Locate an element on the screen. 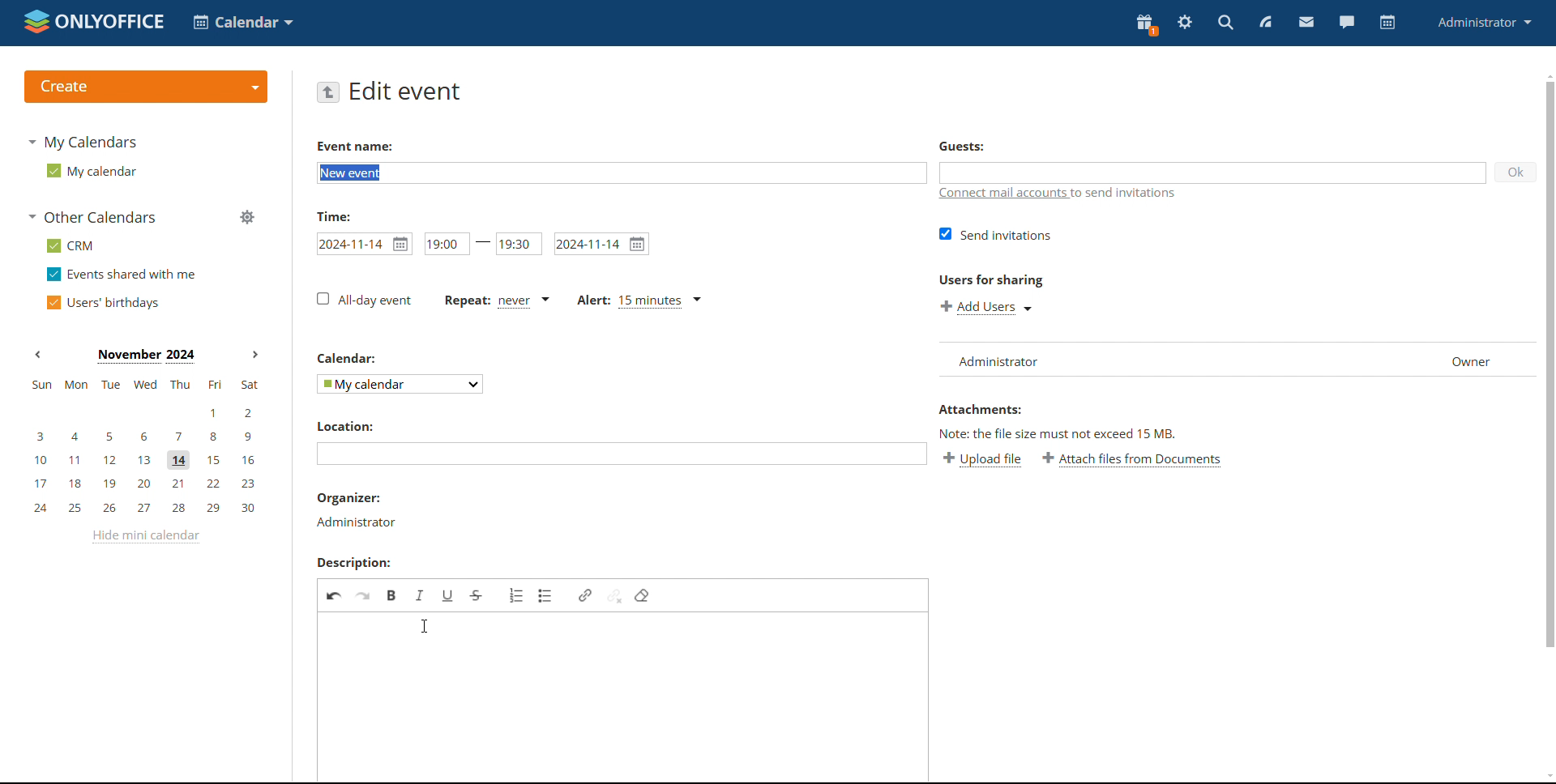 Image resolution: width=1556 pixels, height=784 pixels. underline is located at coordinates (449, 595).